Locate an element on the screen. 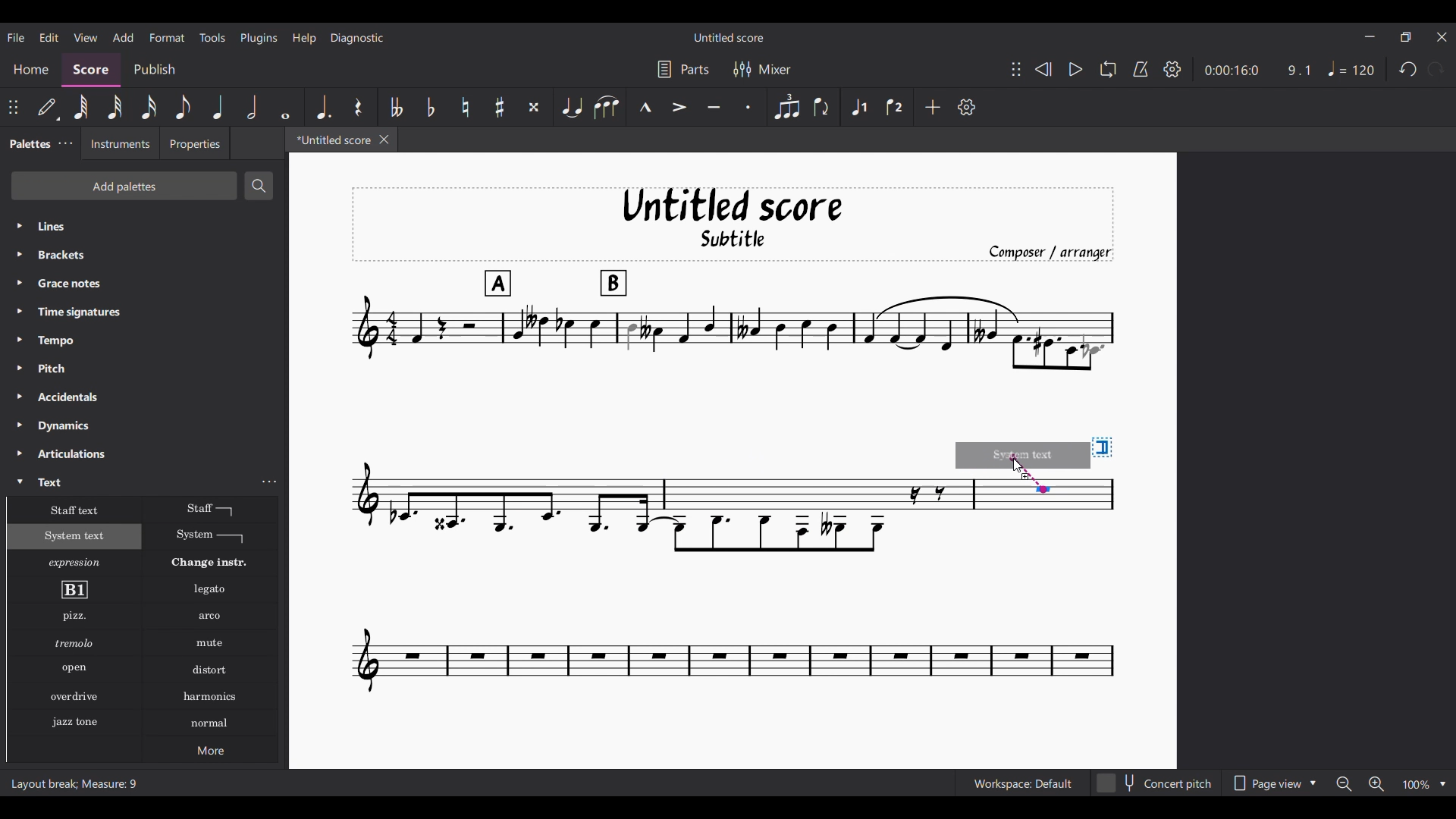 This screenshot has width=1456, height=819. Normal is located at coordinates (210, 723).